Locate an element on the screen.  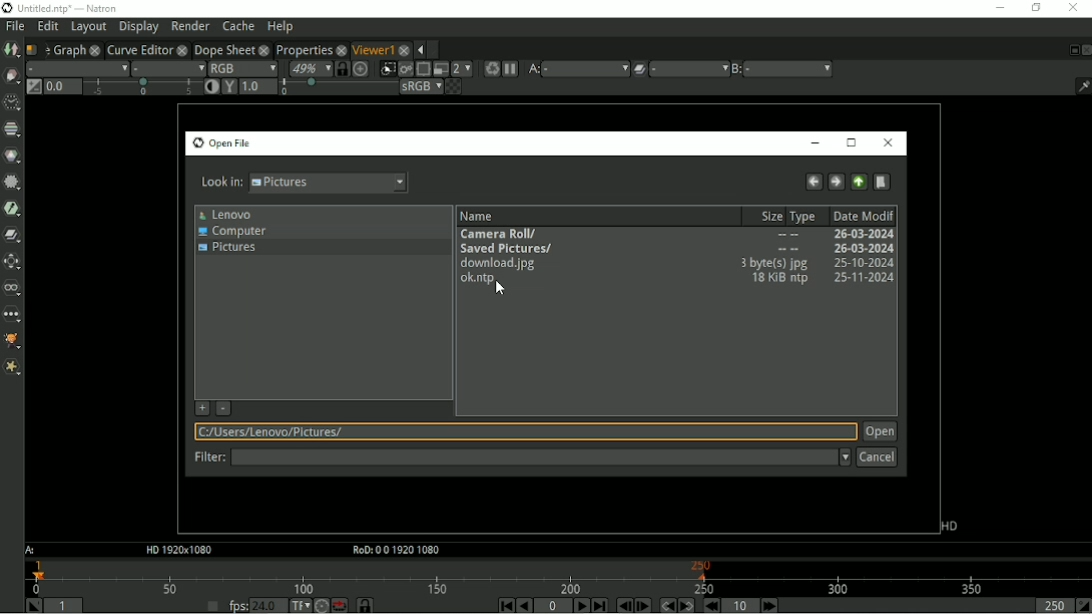
Last frame is located at coordinates (599, 605).